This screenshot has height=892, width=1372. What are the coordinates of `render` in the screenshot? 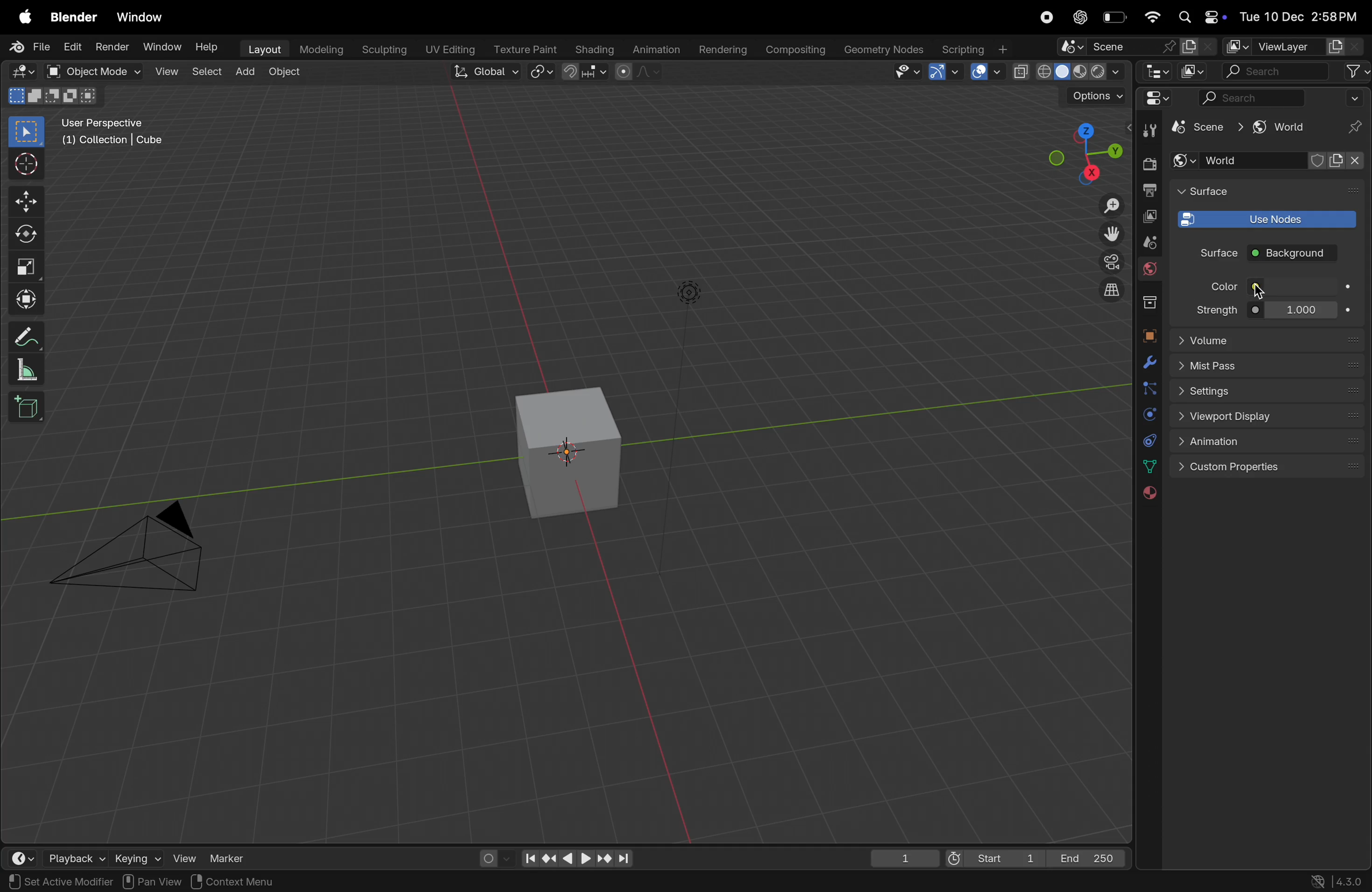 It's located at (1148, 164).